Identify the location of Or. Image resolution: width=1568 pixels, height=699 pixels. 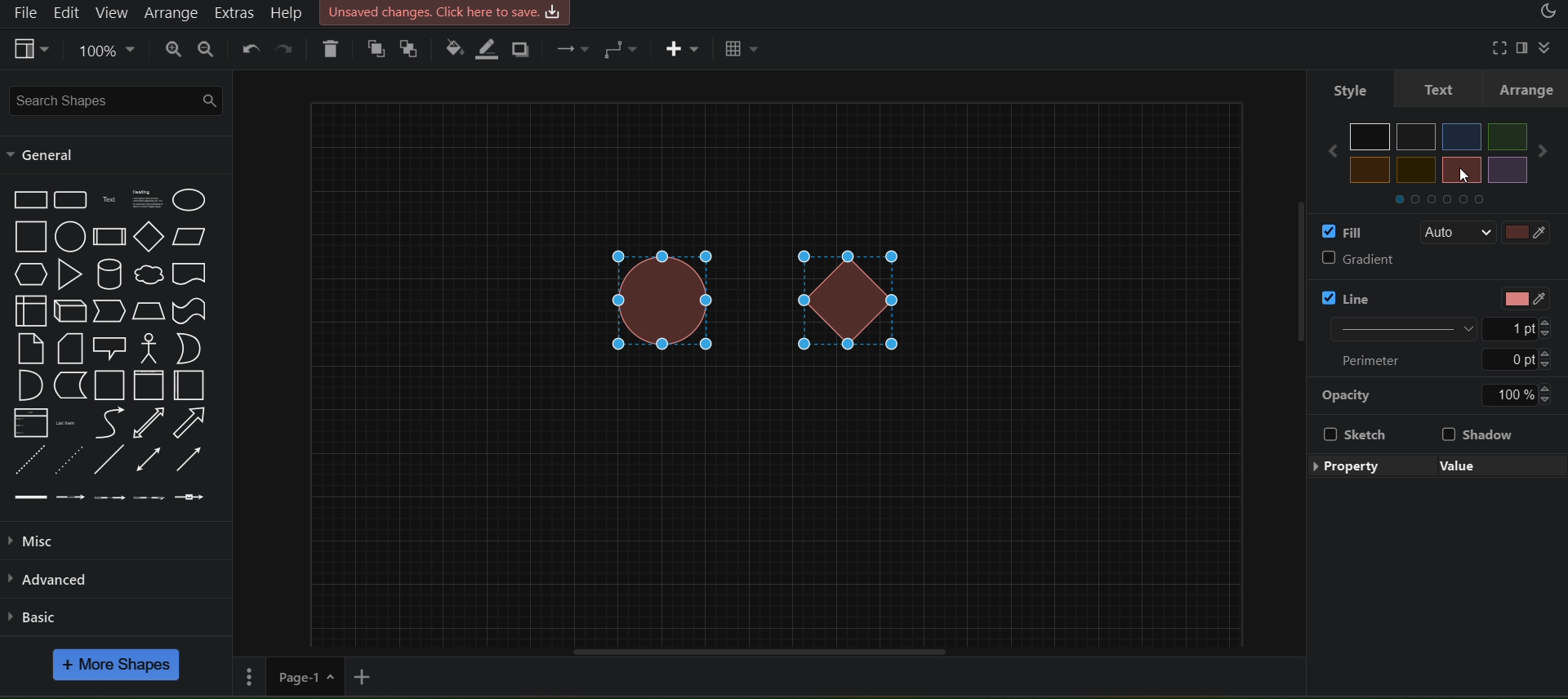
(188, 348).